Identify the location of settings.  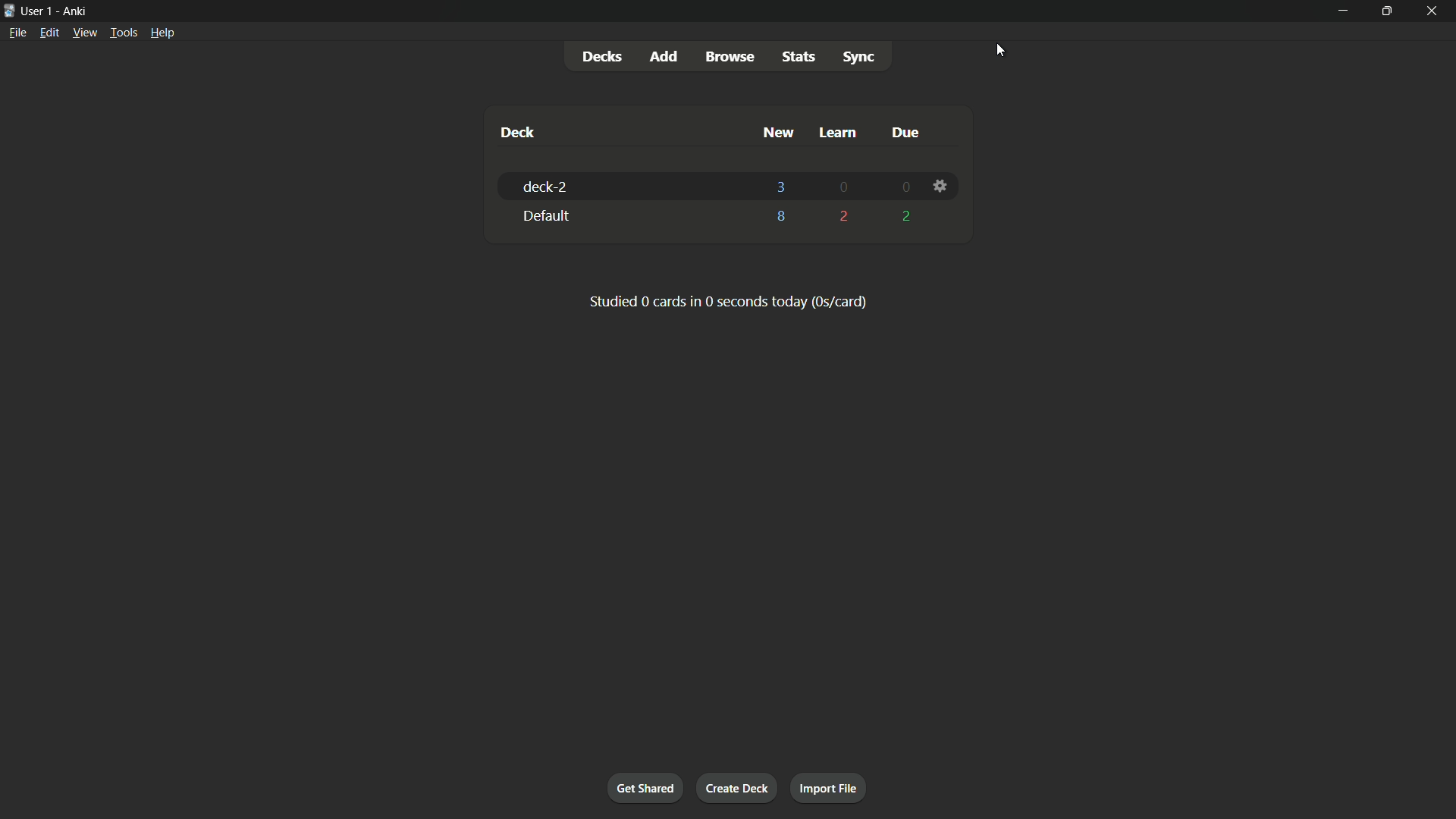
(939, 188).